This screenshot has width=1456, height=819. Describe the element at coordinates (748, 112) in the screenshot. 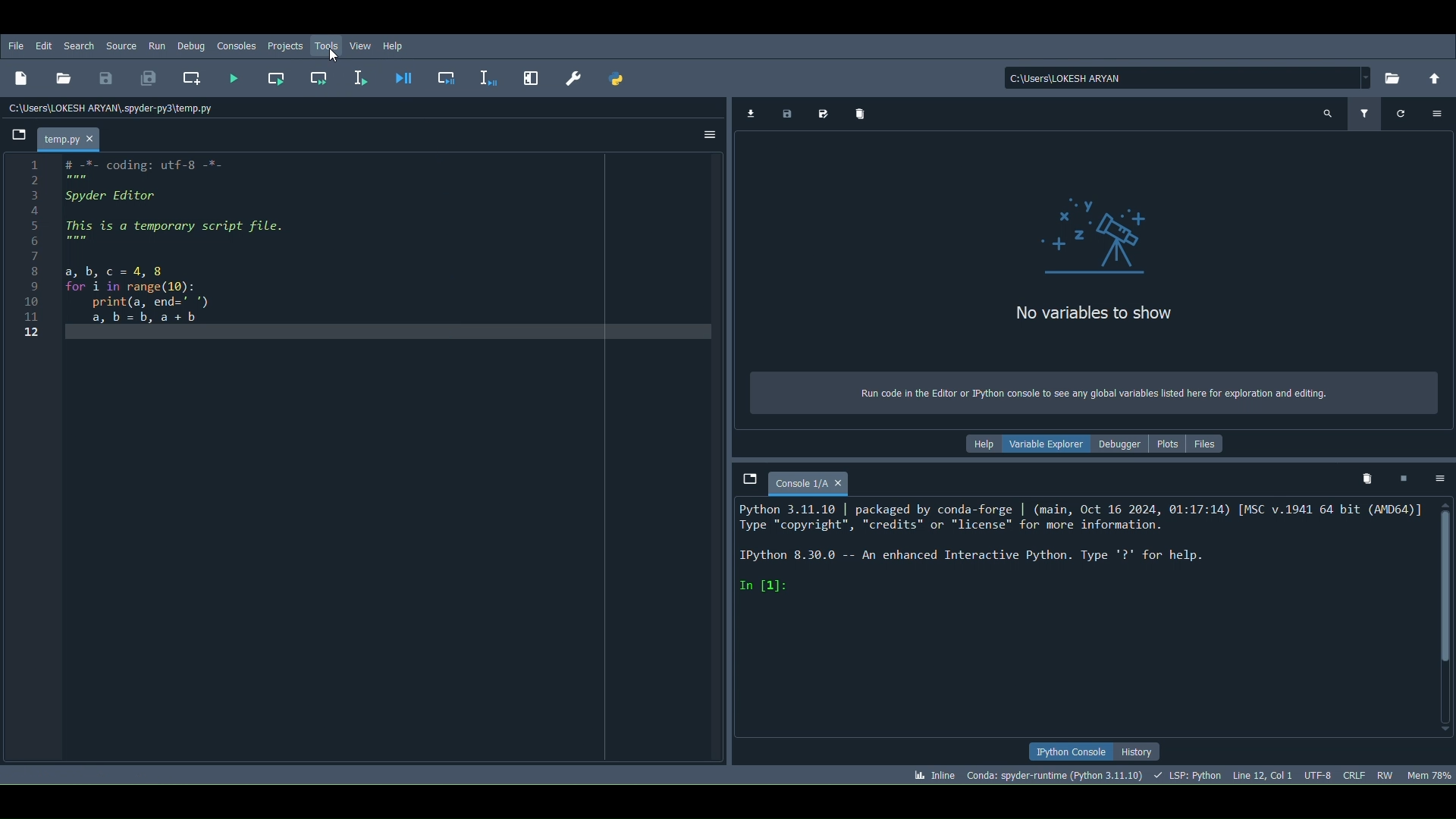

I see `Import data` at that location.